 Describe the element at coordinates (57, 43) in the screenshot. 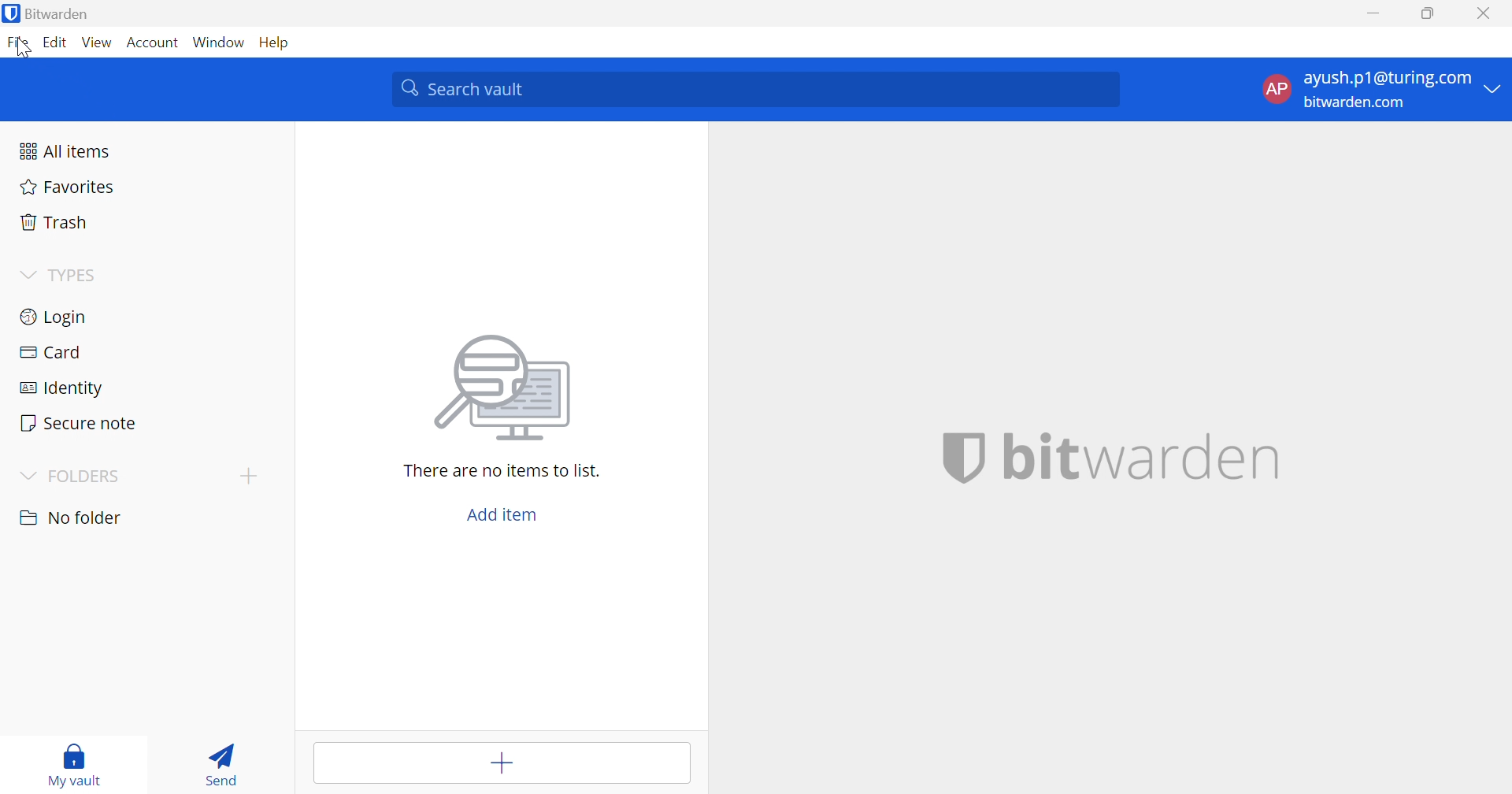

I see `Edit` at that location.